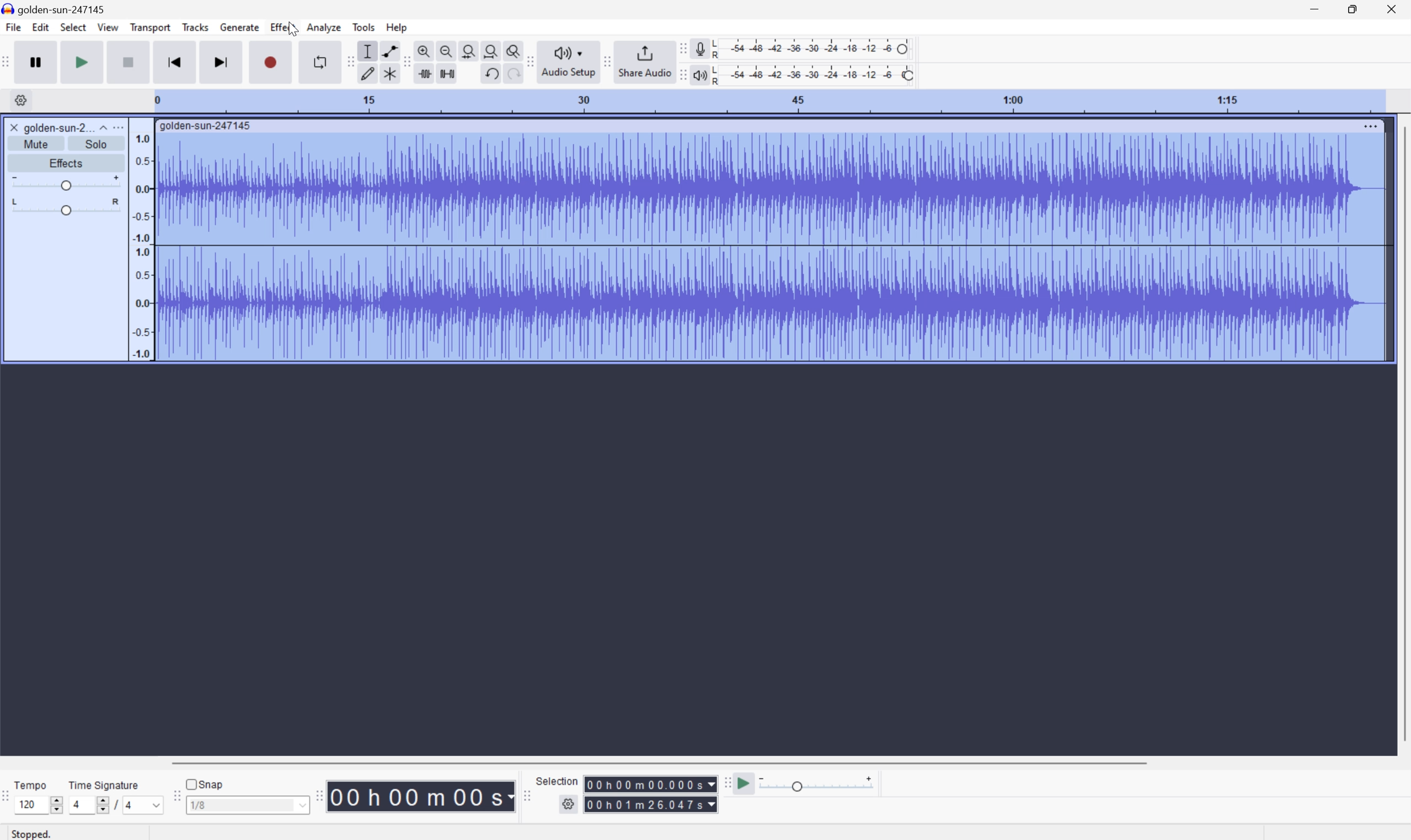 The height and width of the screenshot is (840, 1411). I want to click on Multi tool, so click(387, 76).